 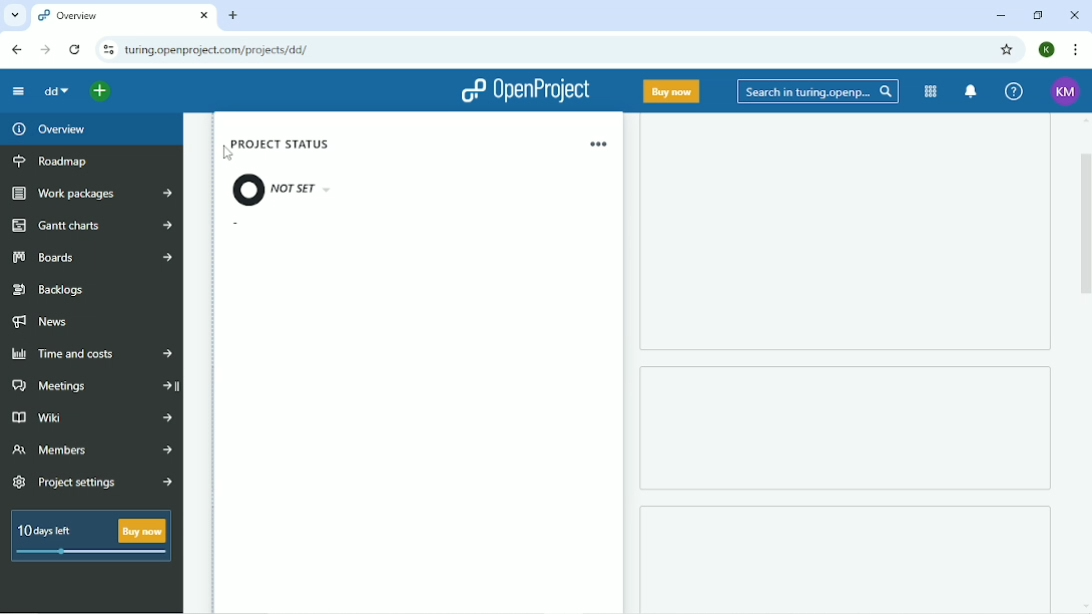 I want to click on Project status, so click(x=292, y=174).